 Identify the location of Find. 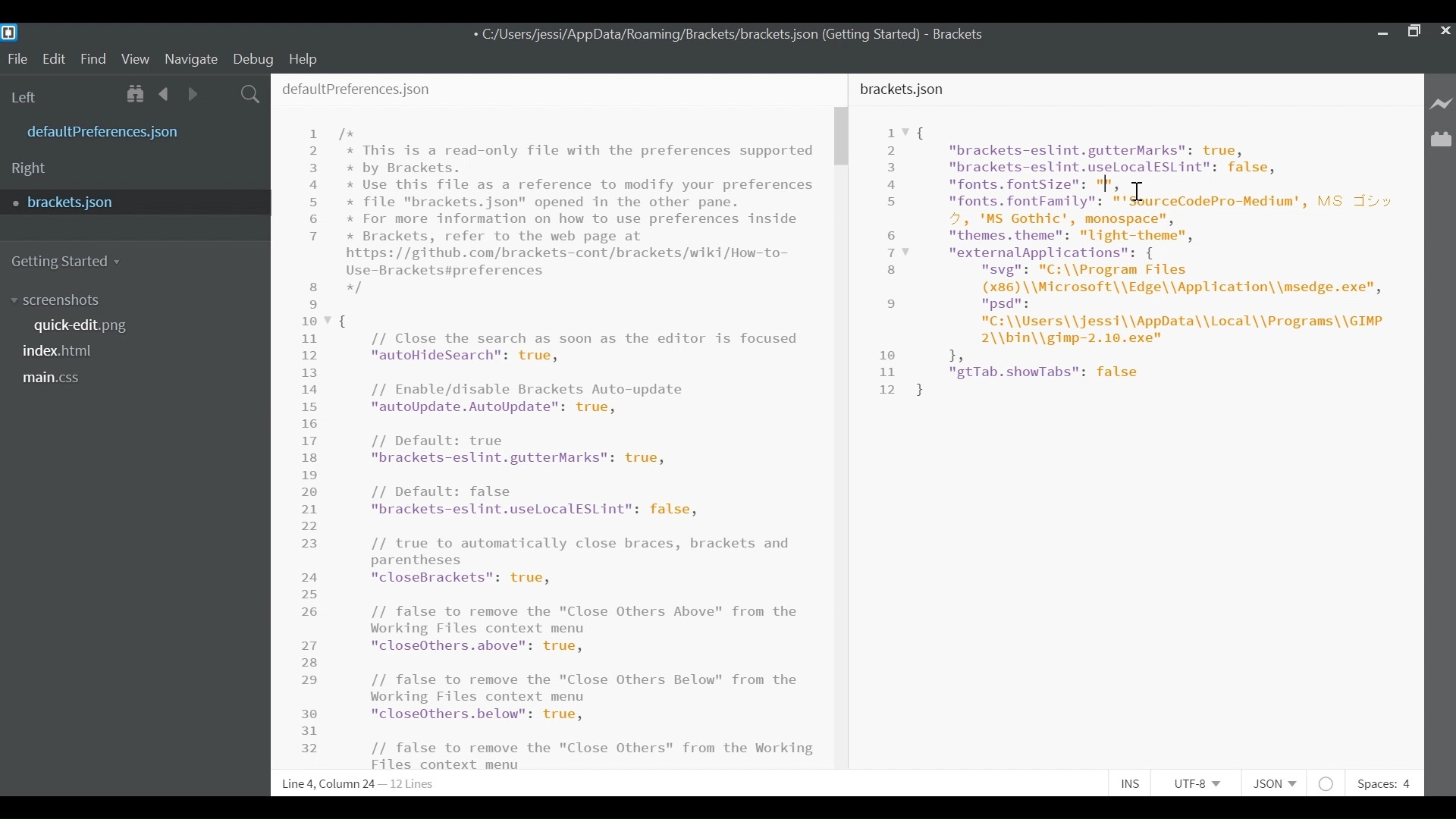
(93, 60).